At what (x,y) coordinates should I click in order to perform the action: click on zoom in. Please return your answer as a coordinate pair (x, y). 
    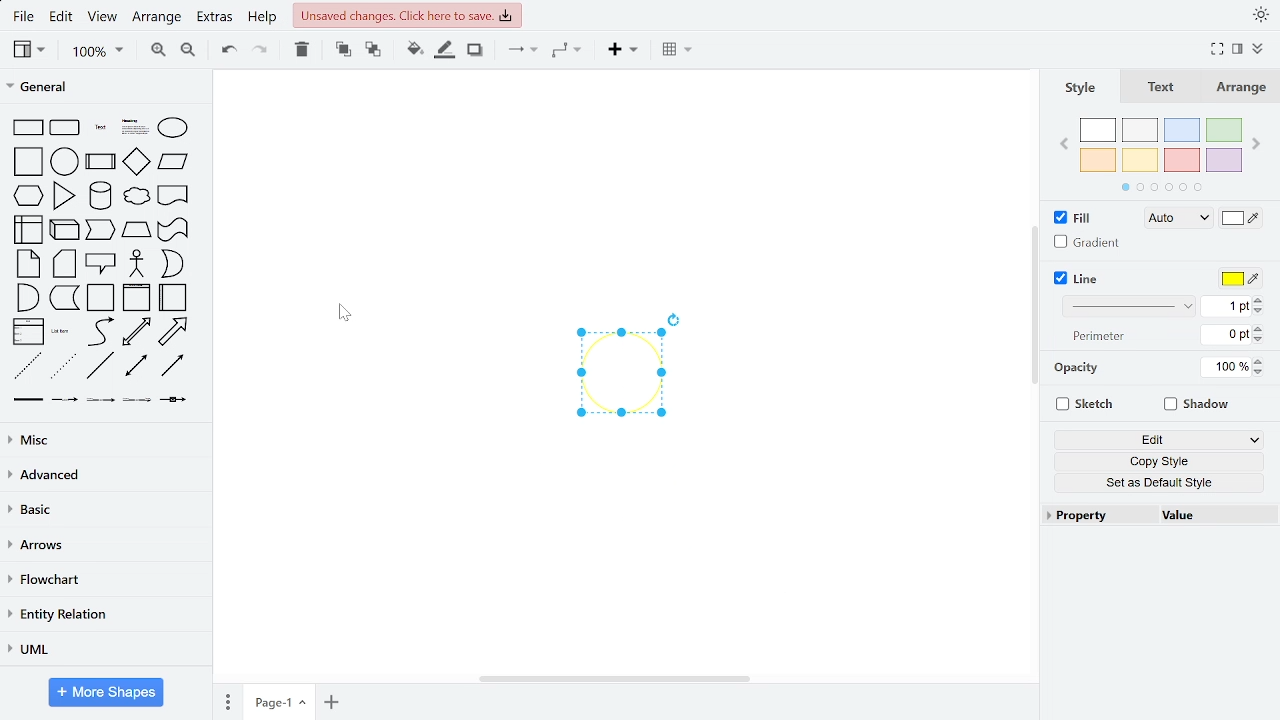
    Looking at the image, I should click on (159, 51).